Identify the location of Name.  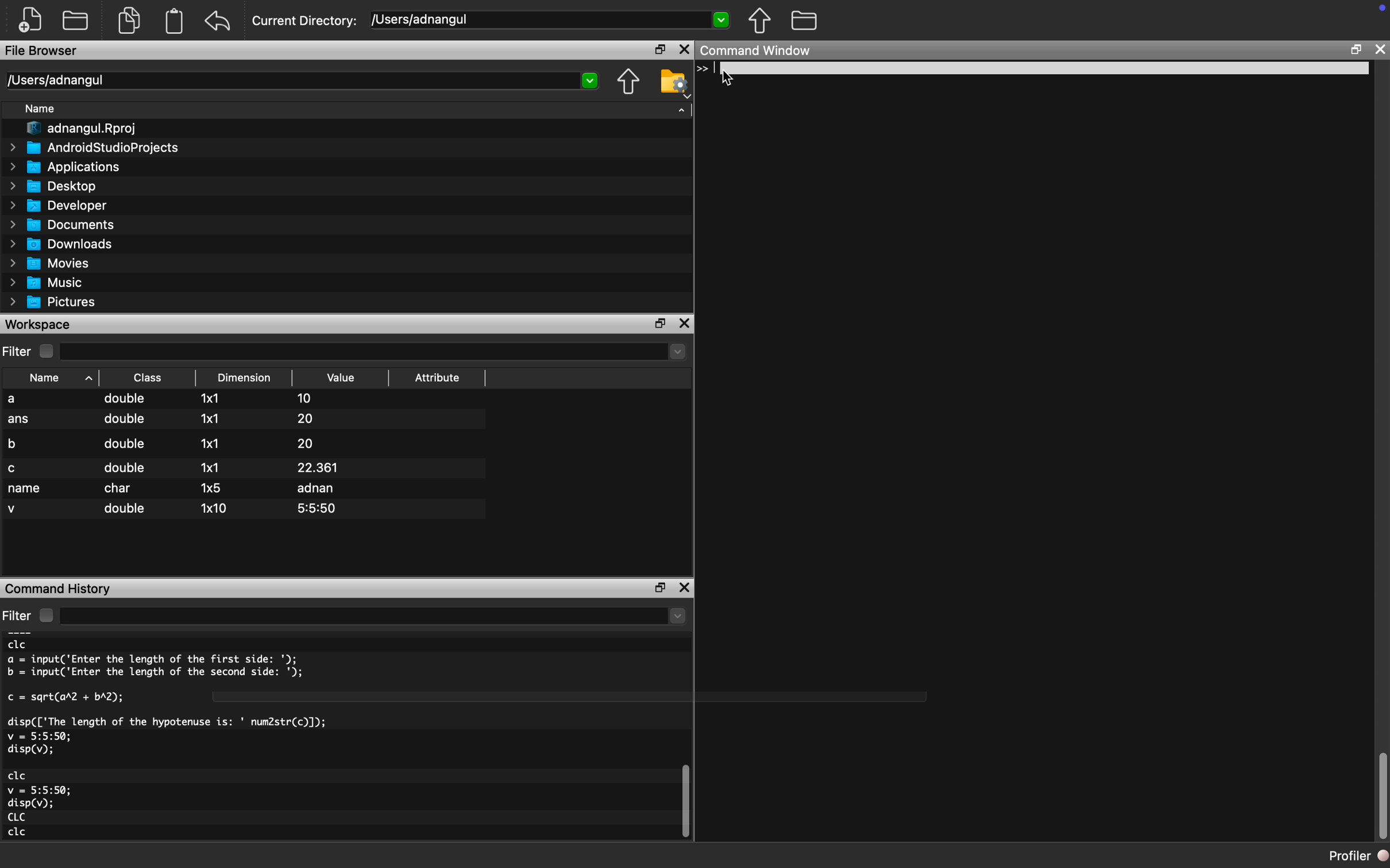
(43, 108).